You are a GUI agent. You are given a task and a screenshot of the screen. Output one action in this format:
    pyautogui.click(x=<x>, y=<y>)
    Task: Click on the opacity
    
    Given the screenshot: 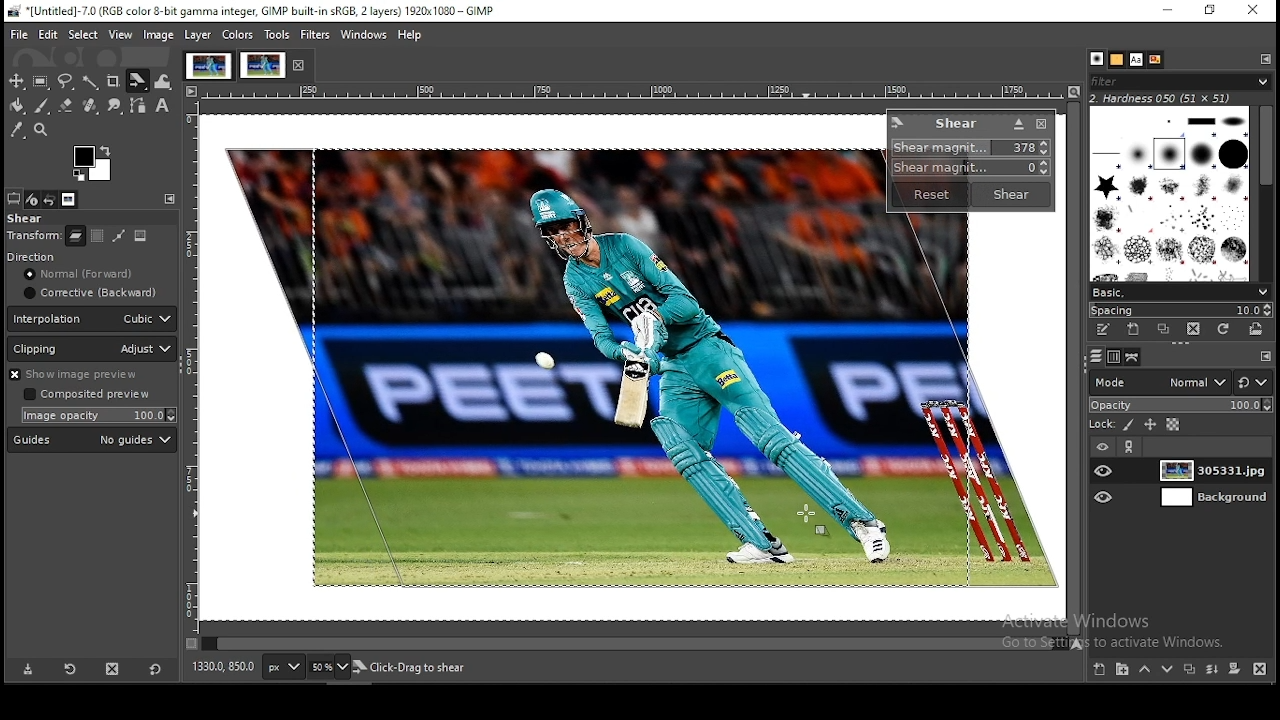 What is the action you would take?
    pyautogui.click(x=1181, y=405)
    